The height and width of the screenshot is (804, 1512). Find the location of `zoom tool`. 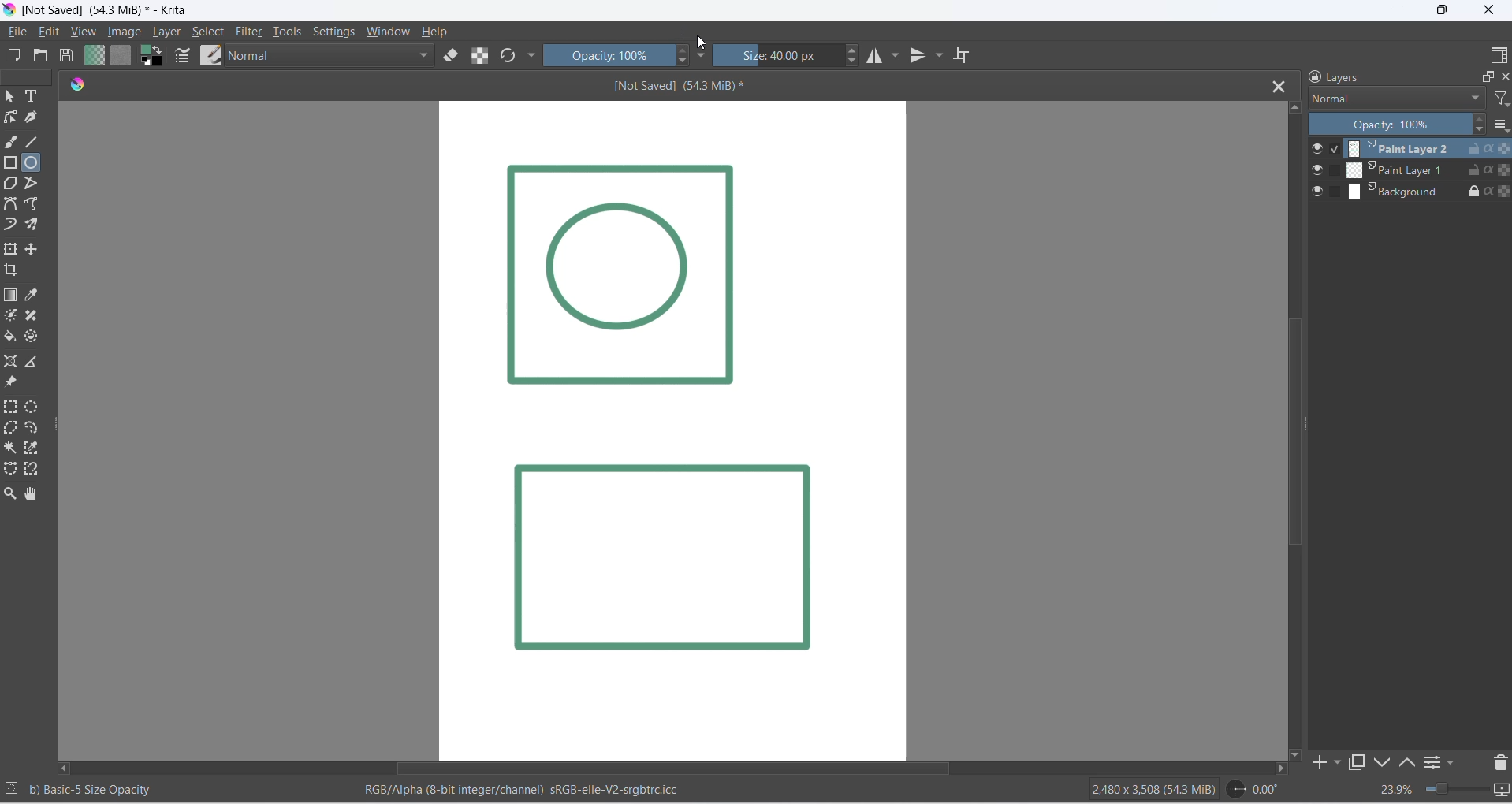

zoom tool is located at coordinates (10, 493).